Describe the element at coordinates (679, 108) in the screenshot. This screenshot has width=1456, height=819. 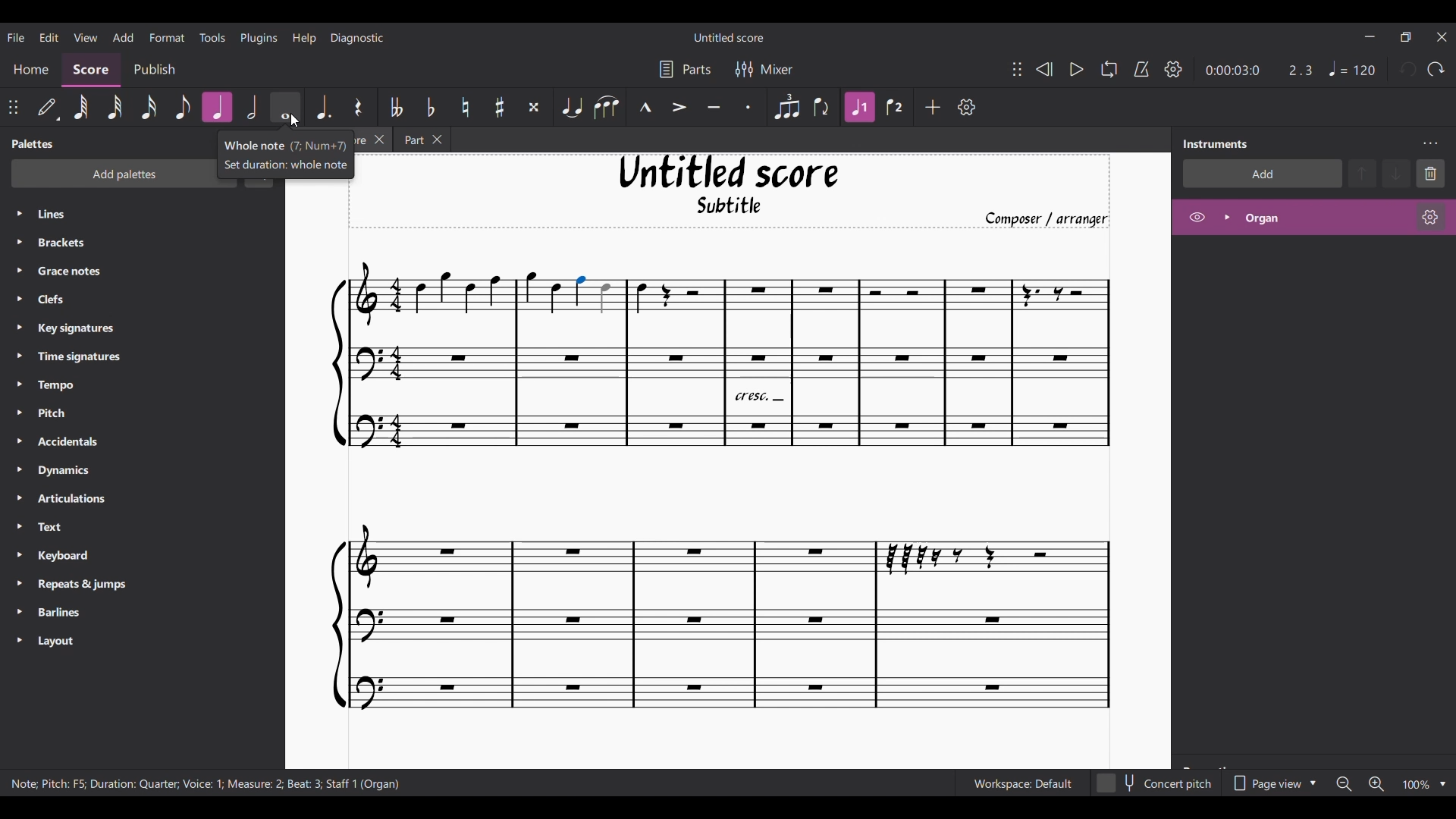
I see `Accent` at that location.